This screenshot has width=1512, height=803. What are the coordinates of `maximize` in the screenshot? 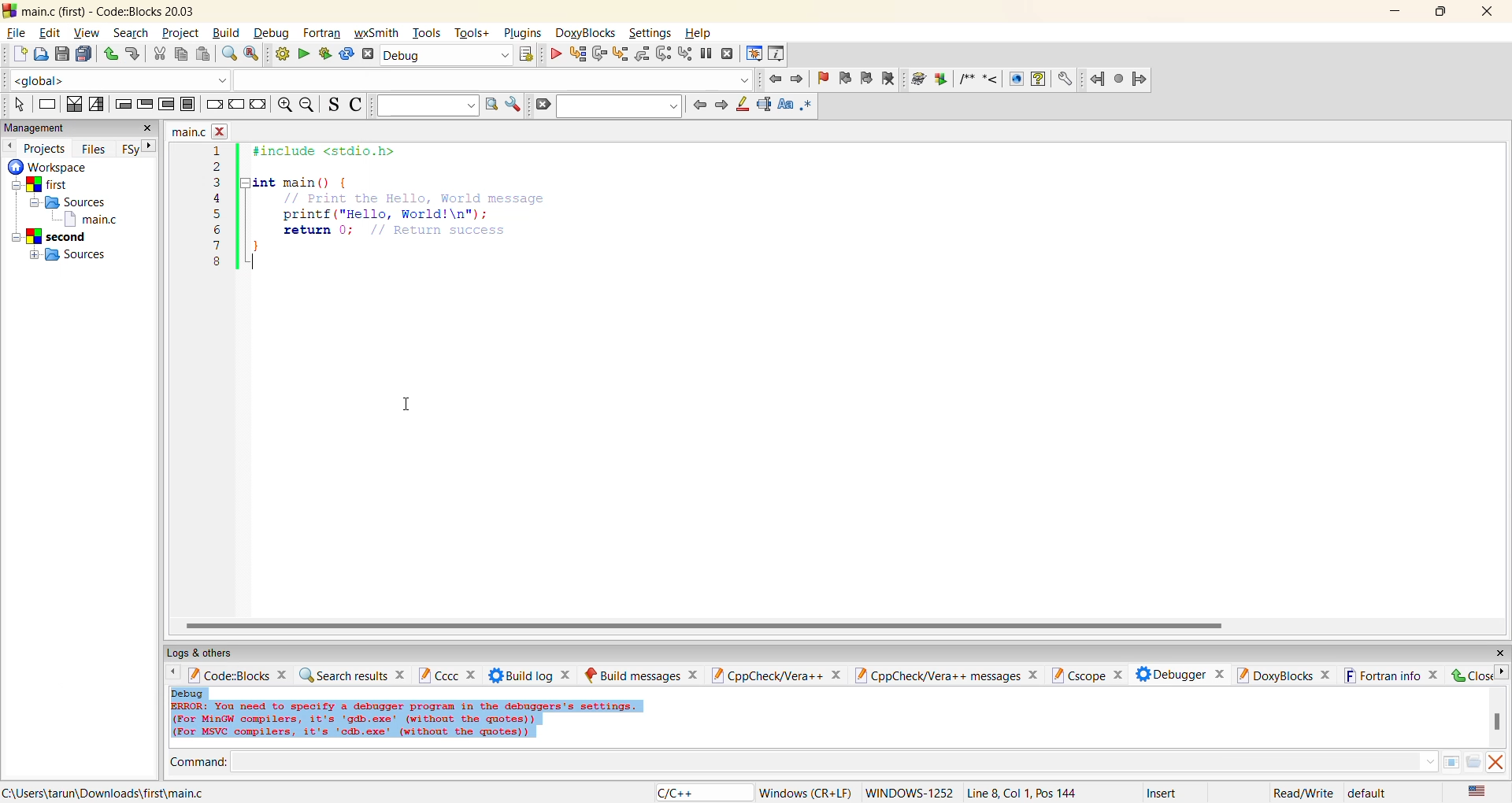 It's located at (1442, 12).